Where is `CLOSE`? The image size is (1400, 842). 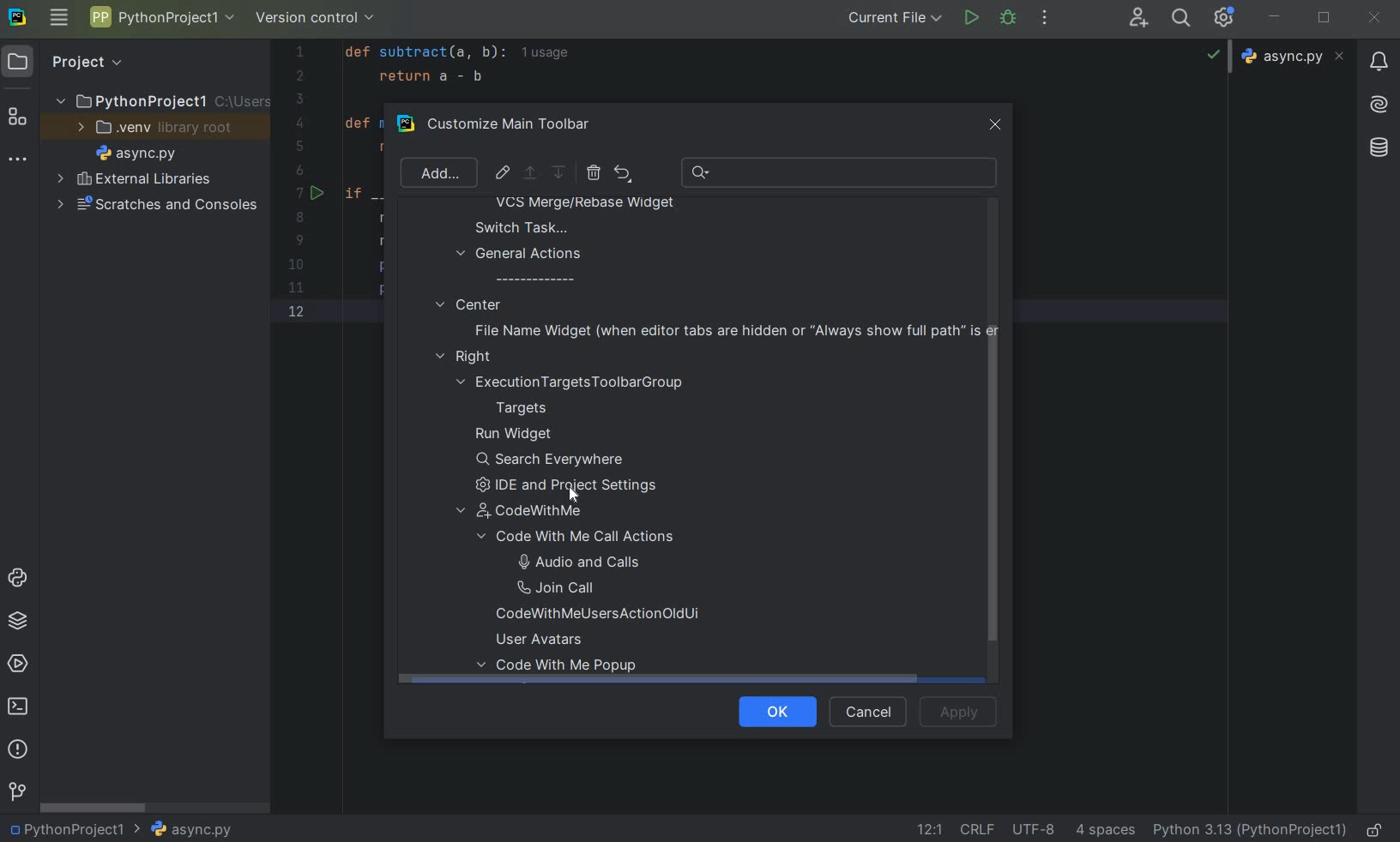 CLOSE is located at coordinates (993, 126).